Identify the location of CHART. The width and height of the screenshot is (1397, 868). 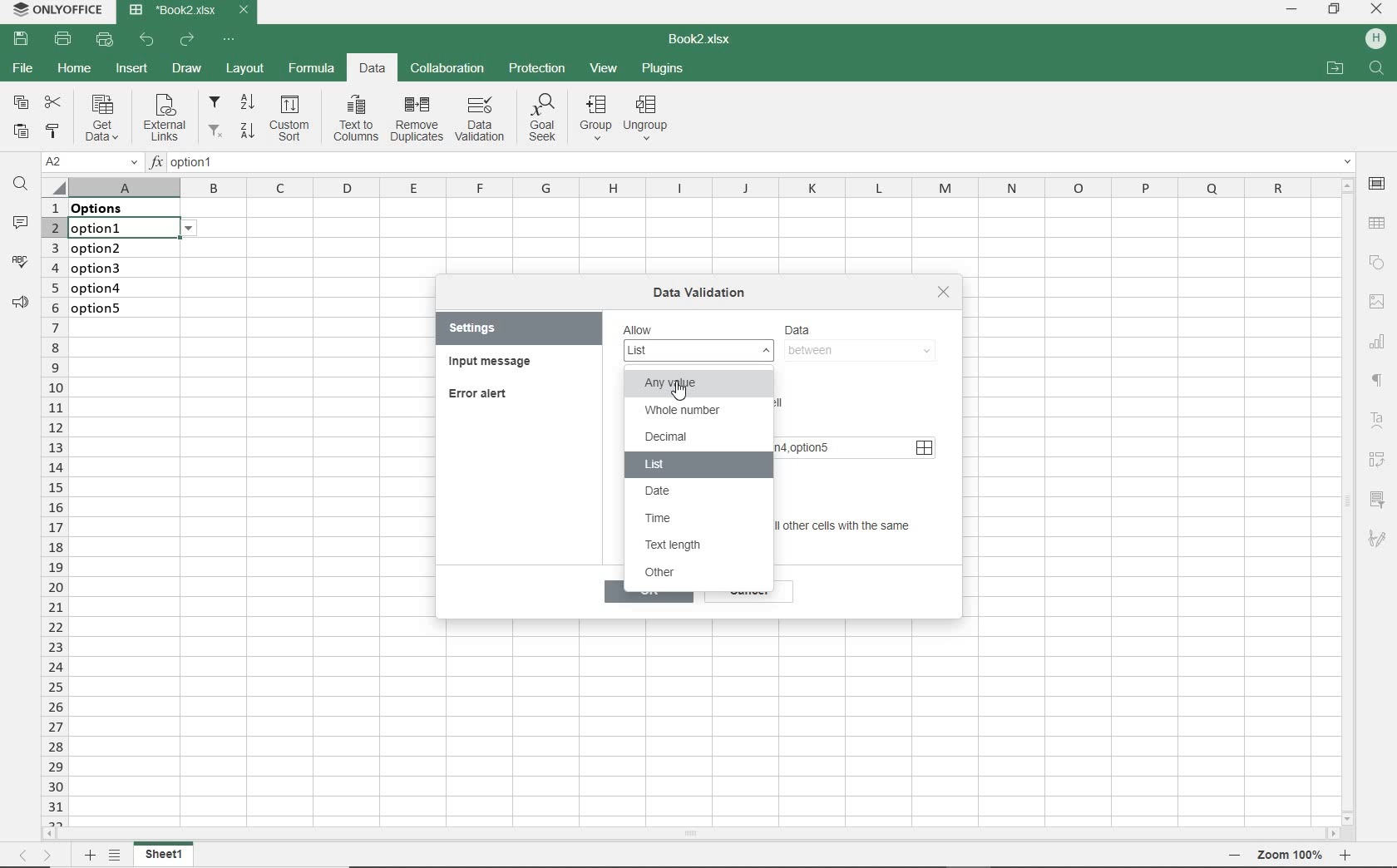
(1379, 344).